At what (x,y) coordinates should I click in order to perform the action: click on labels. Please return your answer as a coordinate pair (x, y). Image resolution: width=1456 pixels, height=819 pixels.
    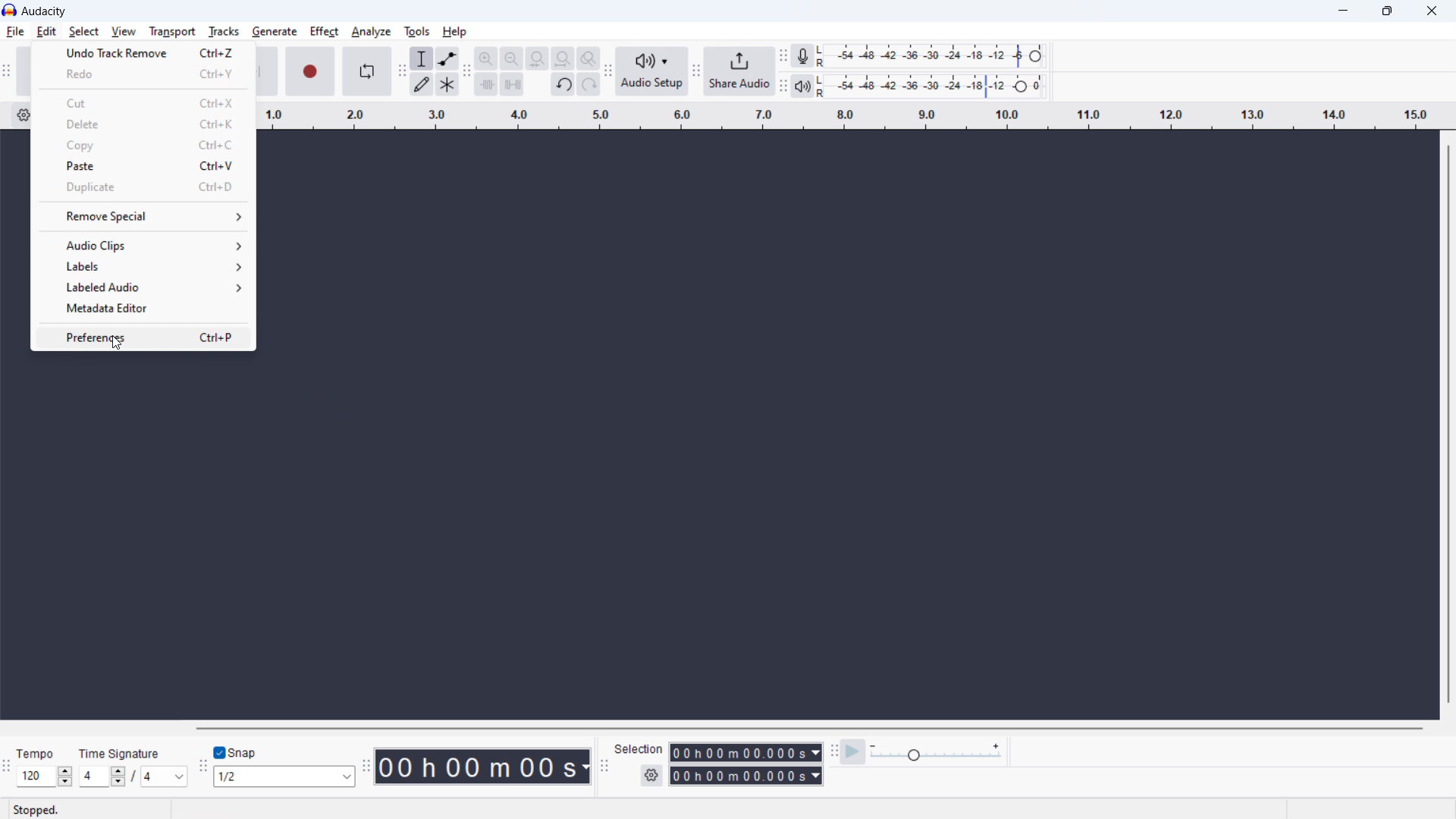
    Looking at the image, I should click on (146, 267).